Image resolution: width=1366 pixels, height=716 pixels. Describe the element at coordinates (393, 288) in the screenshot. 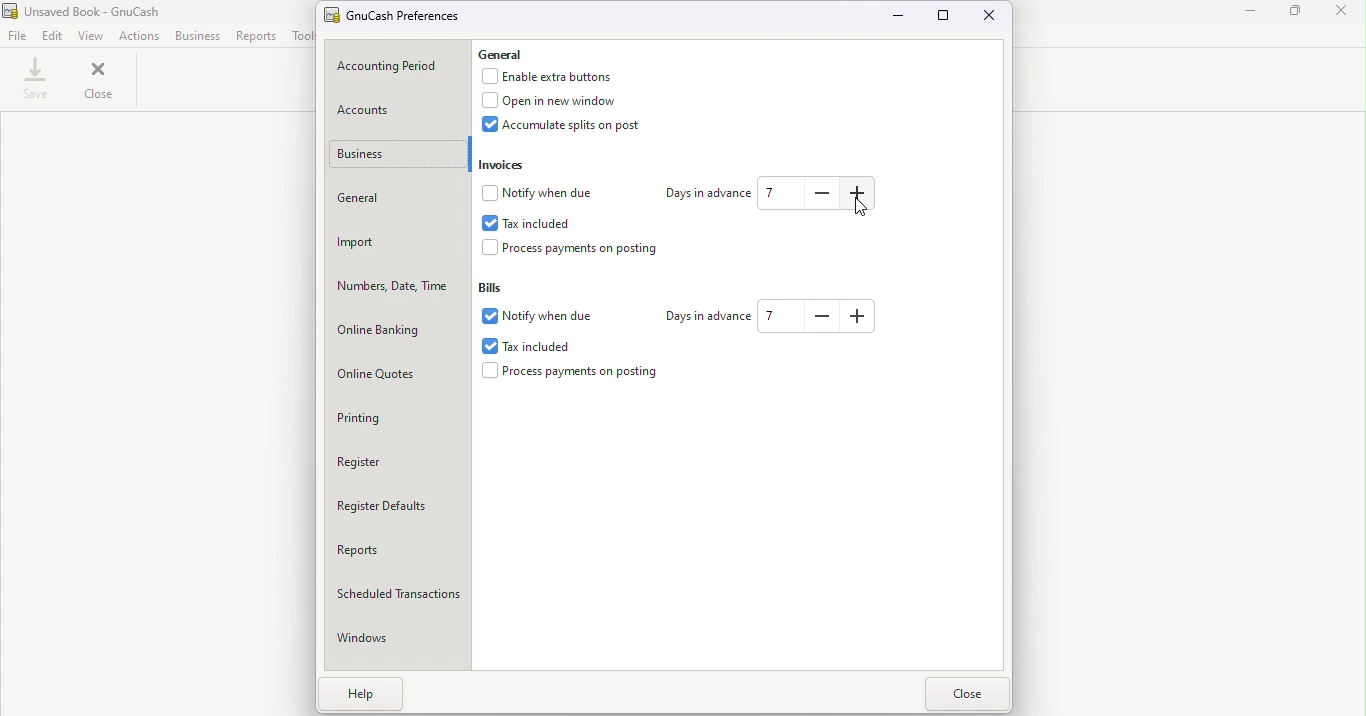

I see `Numbers, Date, Time` at that location.